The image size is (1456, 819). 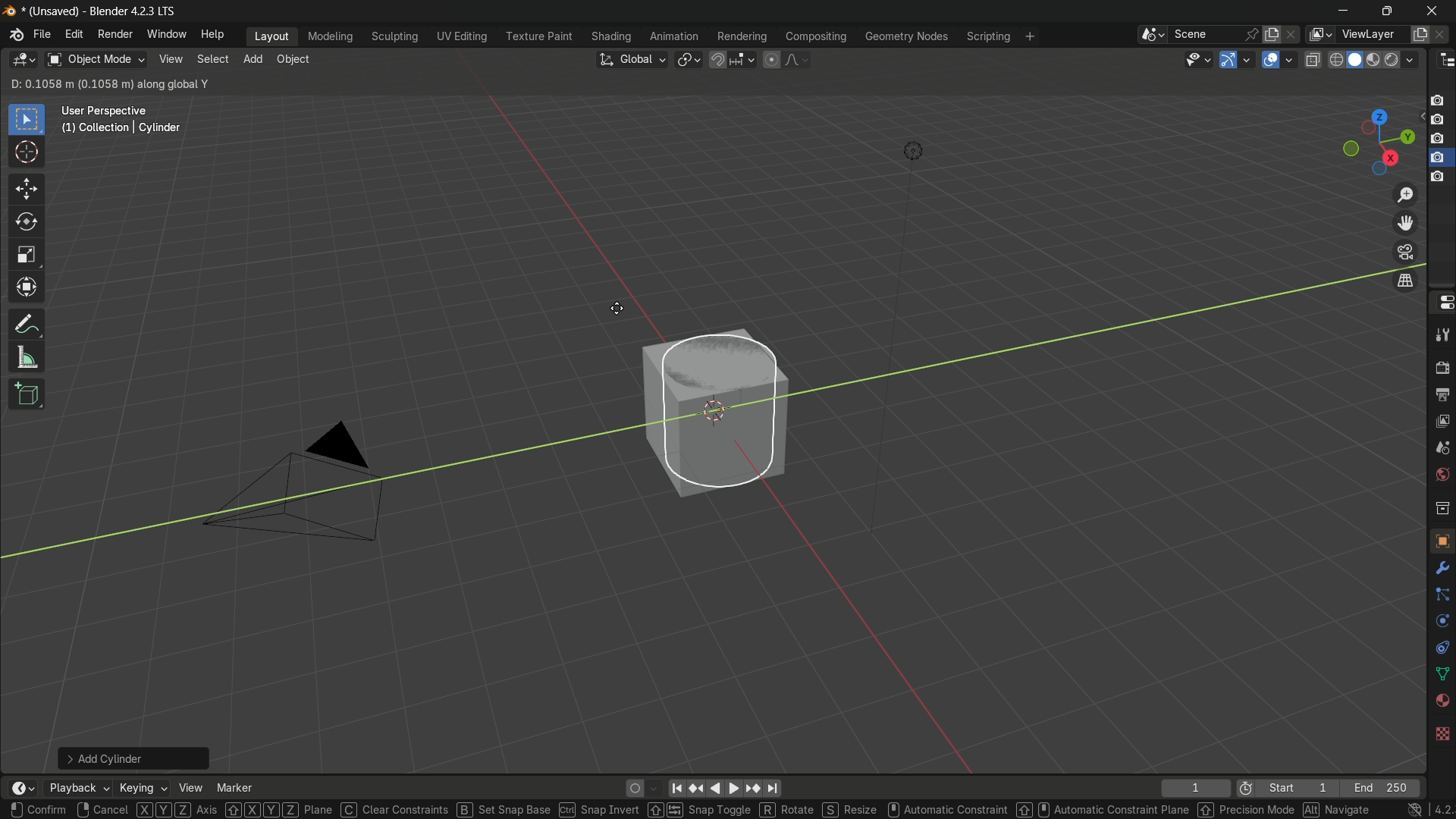 I want to click on new scene, so click(x=1272, y=34).